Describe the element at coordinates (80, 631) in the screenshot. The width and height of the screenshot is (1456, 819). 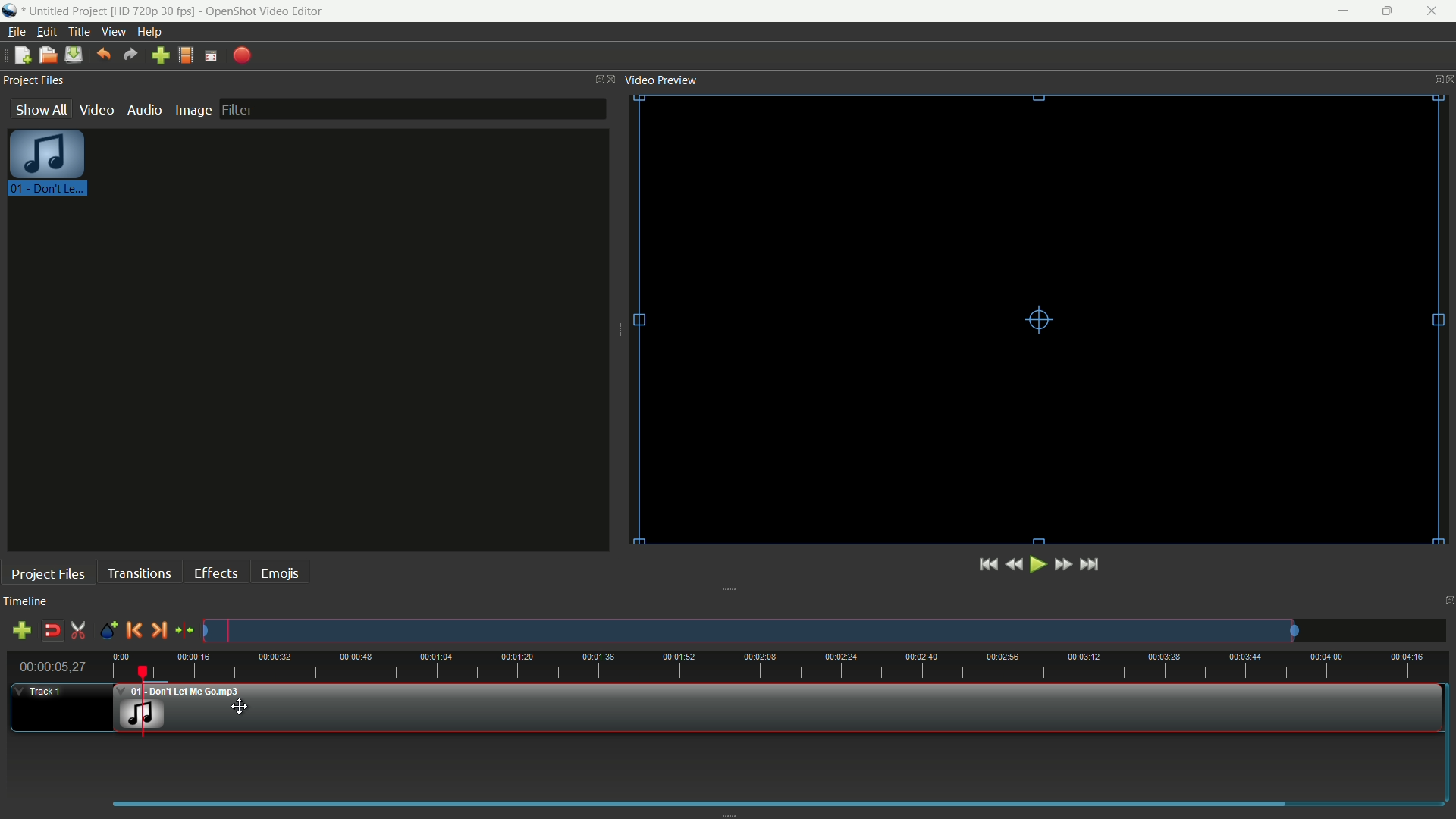
I see `enable razor` at that location.